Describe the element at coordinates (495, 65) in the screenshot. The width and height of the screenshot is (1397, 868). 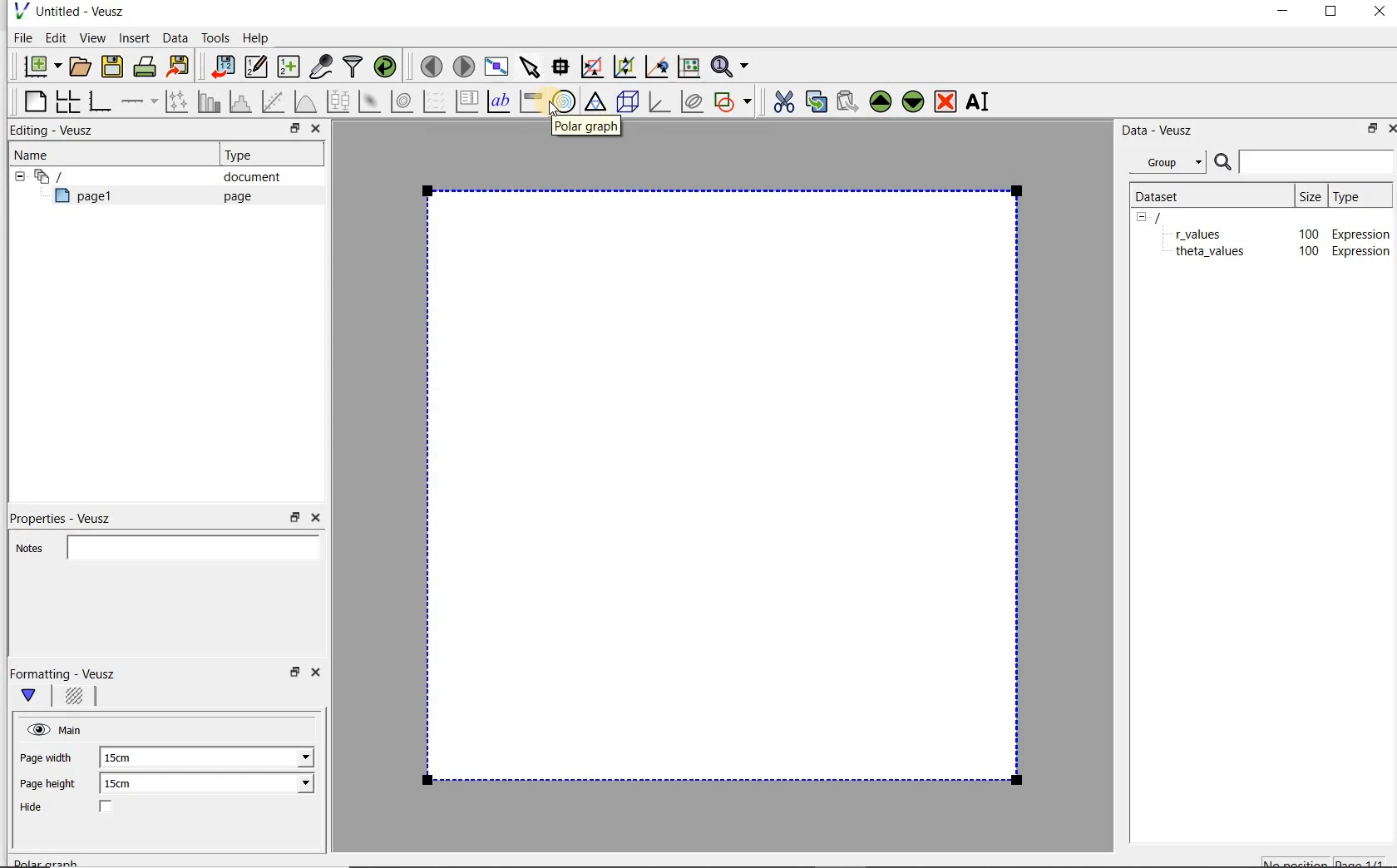
I see `view plot full screen` at that location.